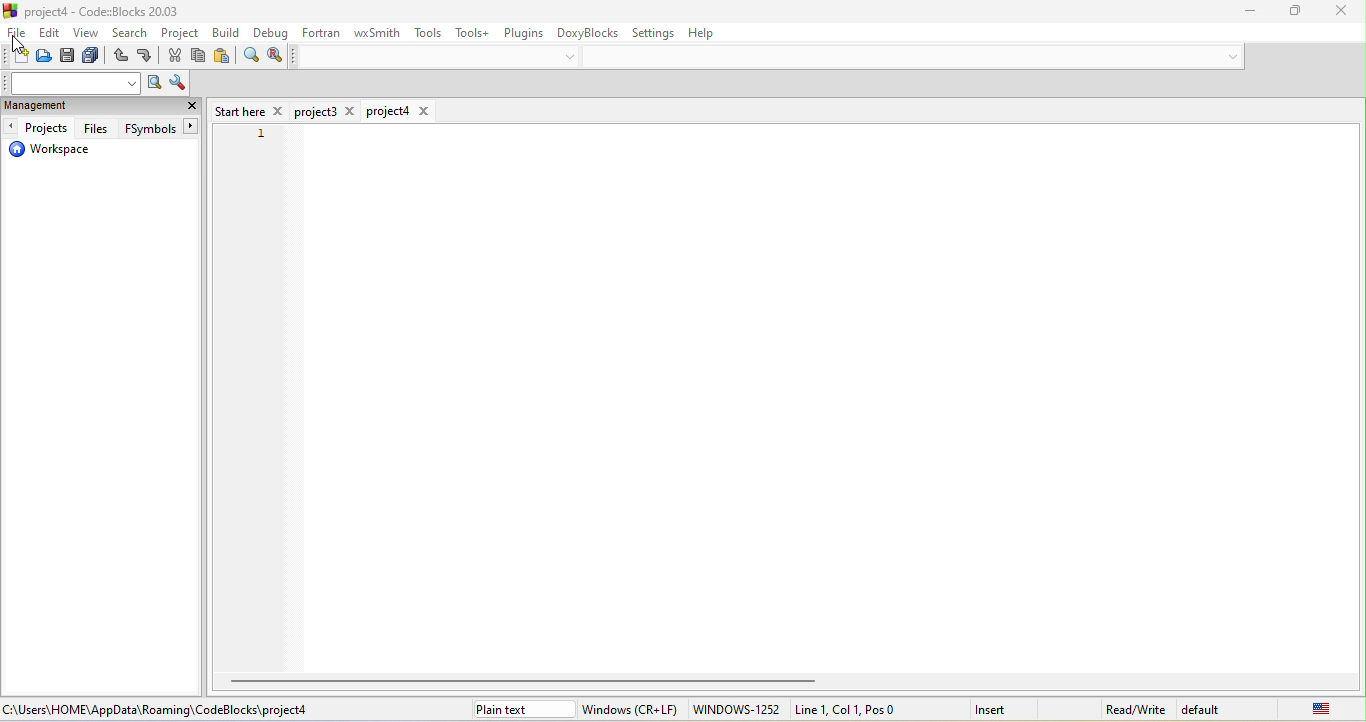 Image resolution: width=1366 pixels, height=722 pixels. I want to click on close, so click(1333, 10).